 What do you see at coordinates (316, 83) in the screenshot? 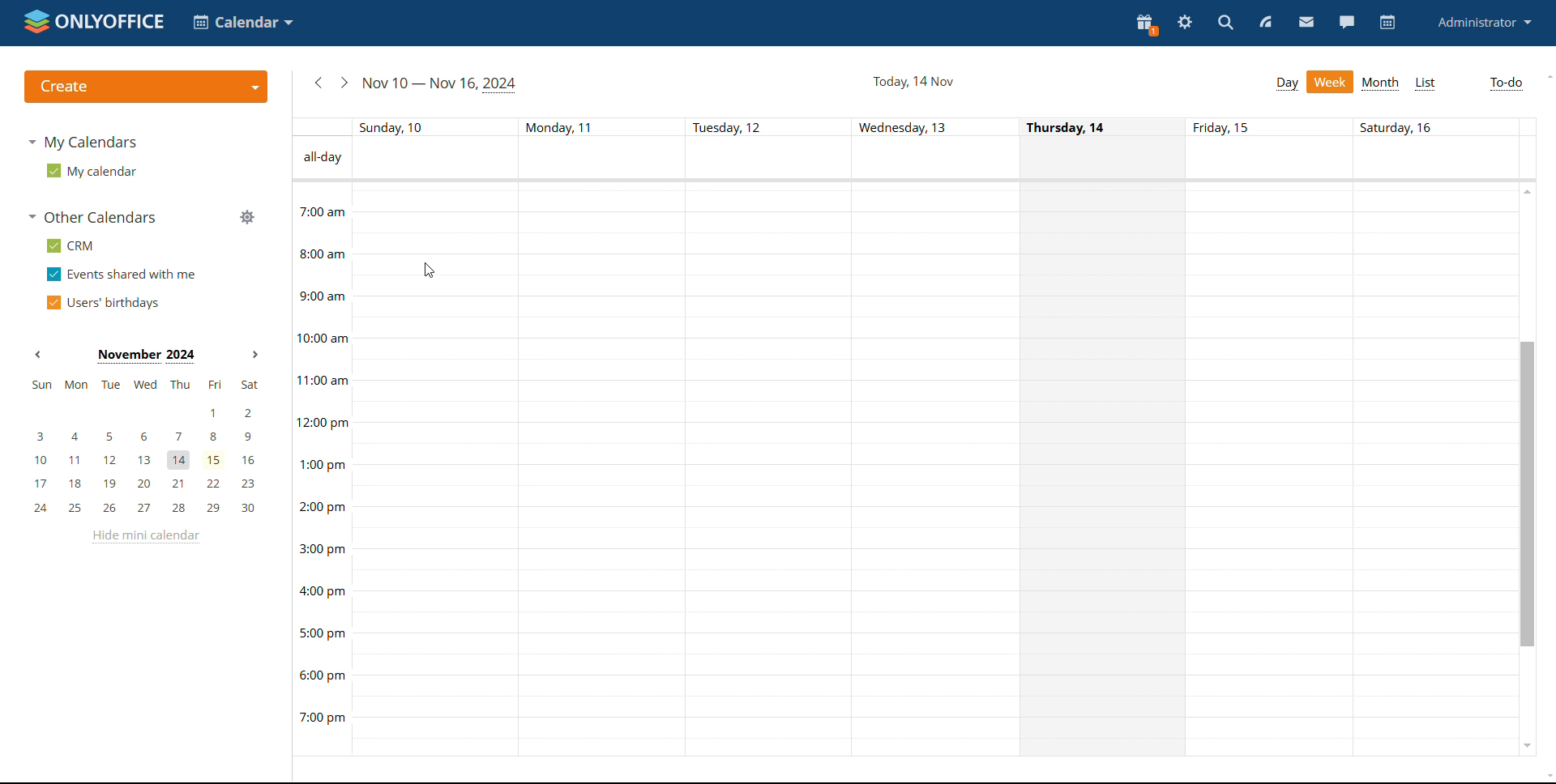
I see `previous week` at bounding box center [316, 83].